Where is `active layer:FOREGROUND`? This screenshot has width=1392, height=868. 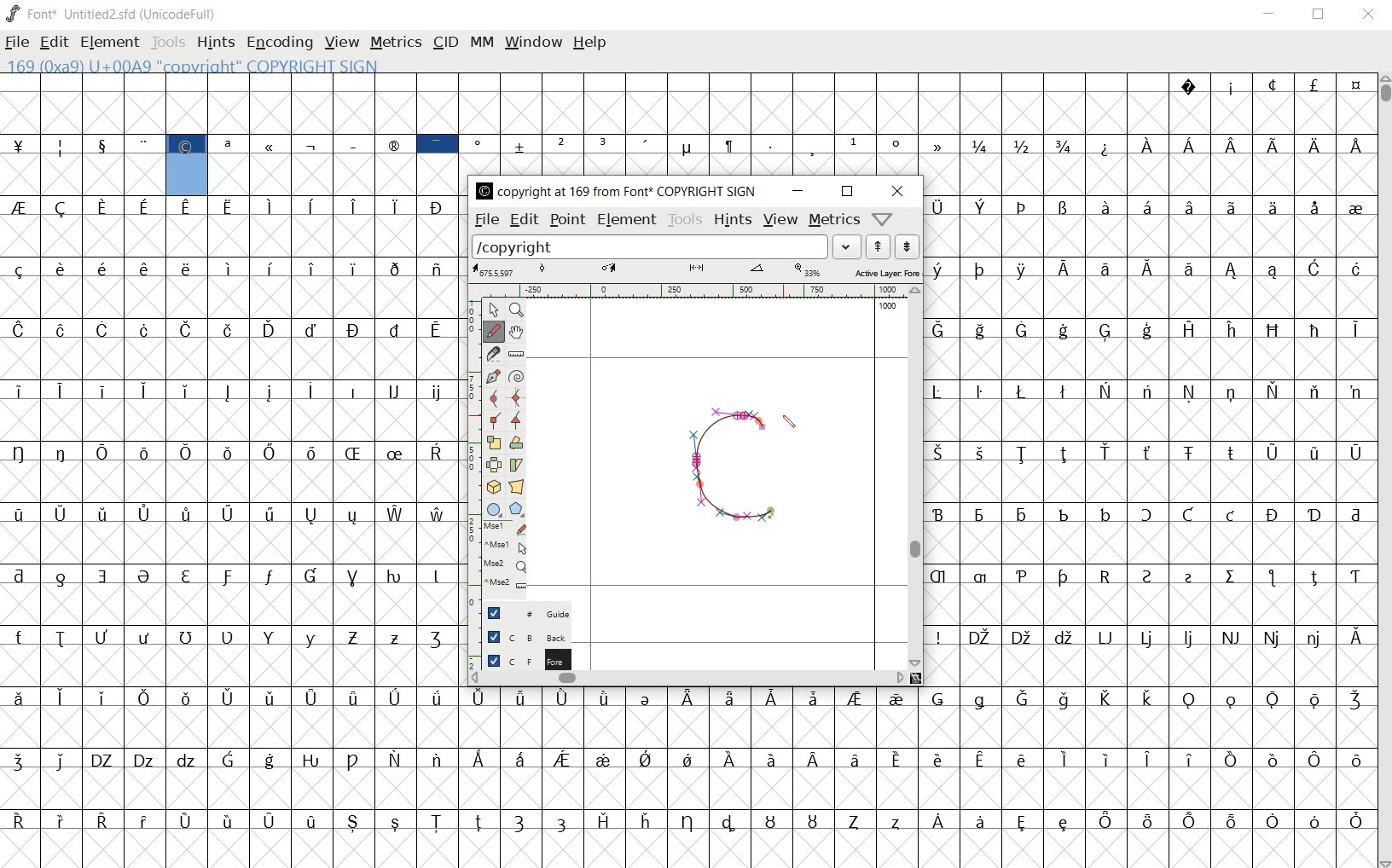
active layer:FOREGROUND is located at coordinates (695, 271).